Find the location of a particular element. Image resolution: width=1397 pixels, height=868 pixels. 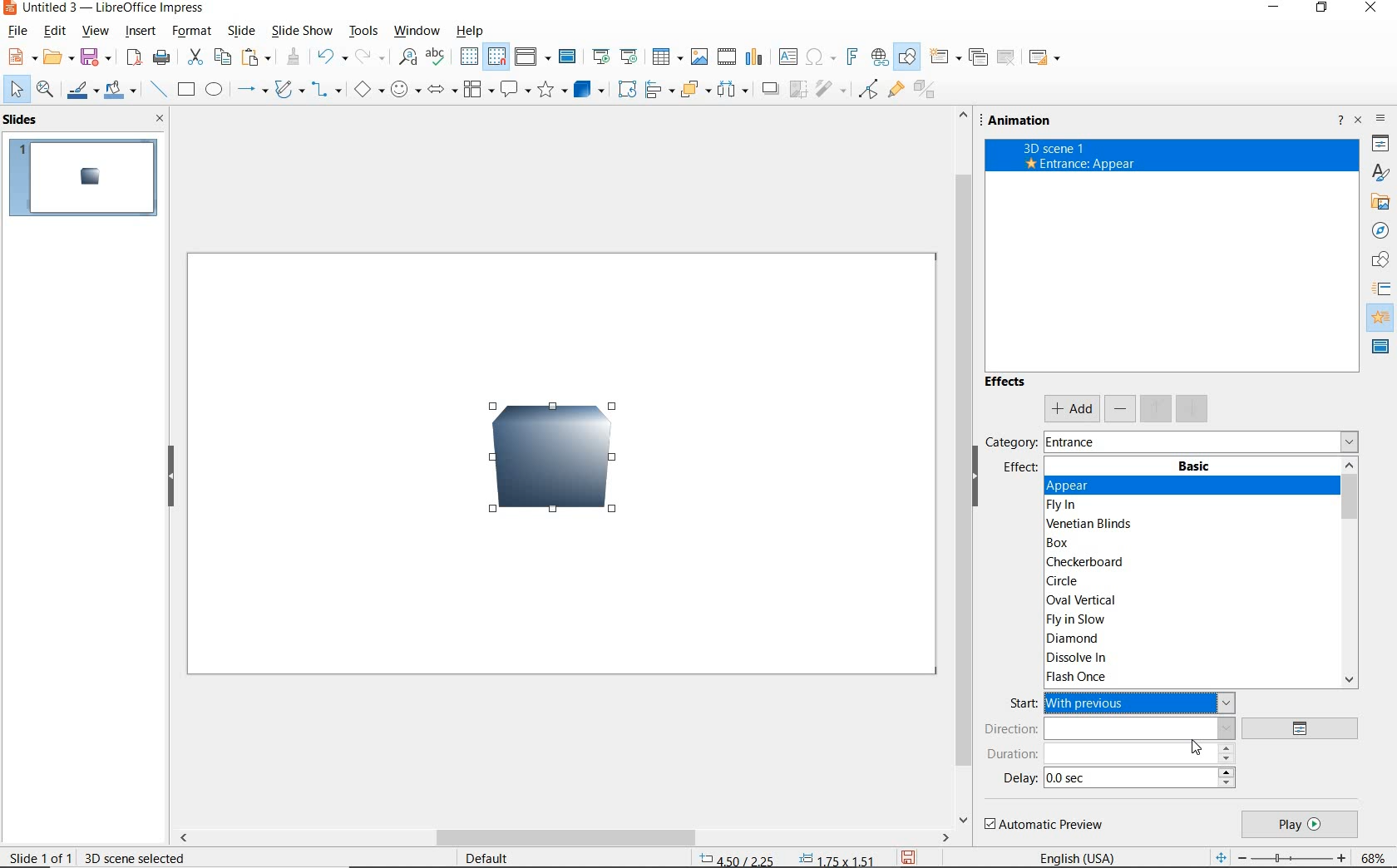

start from current slide is located at coordinates (629, 57).